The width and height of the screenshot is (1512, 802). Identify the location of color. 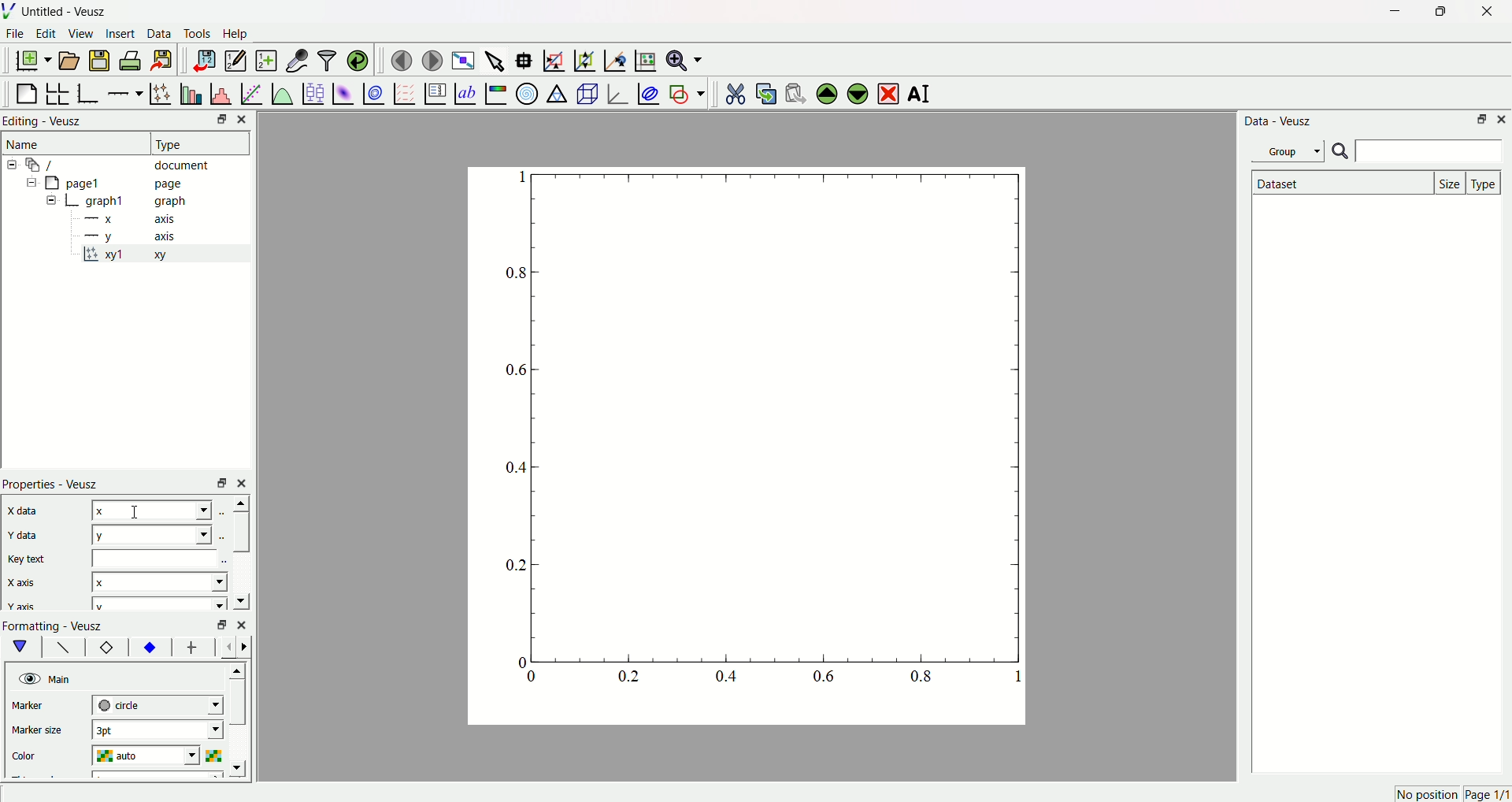
(41, 753).